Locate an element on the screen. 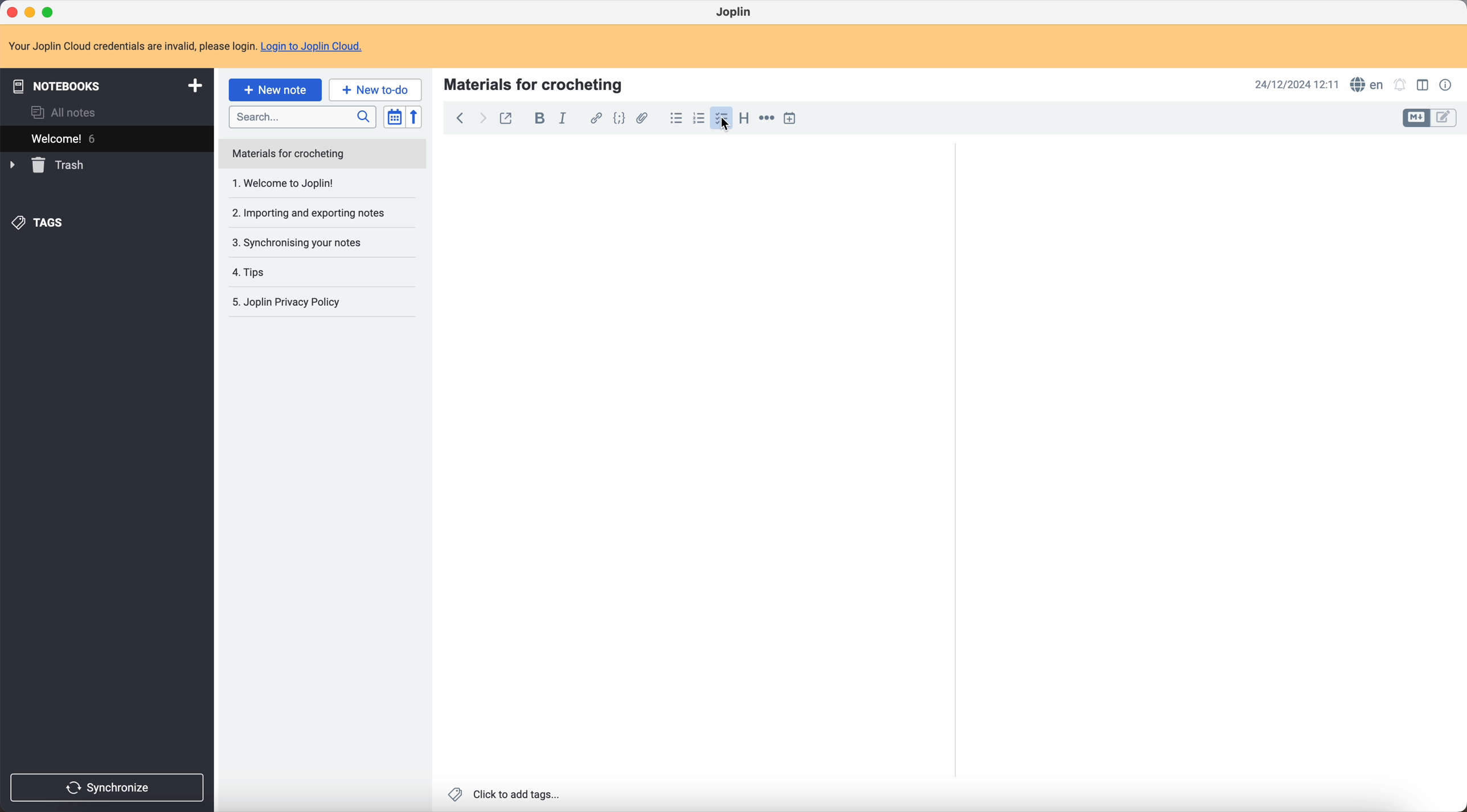 Image resolution: width=1467 pixels, height=812 pixels. Cursor is located at coordinates (728, 128).